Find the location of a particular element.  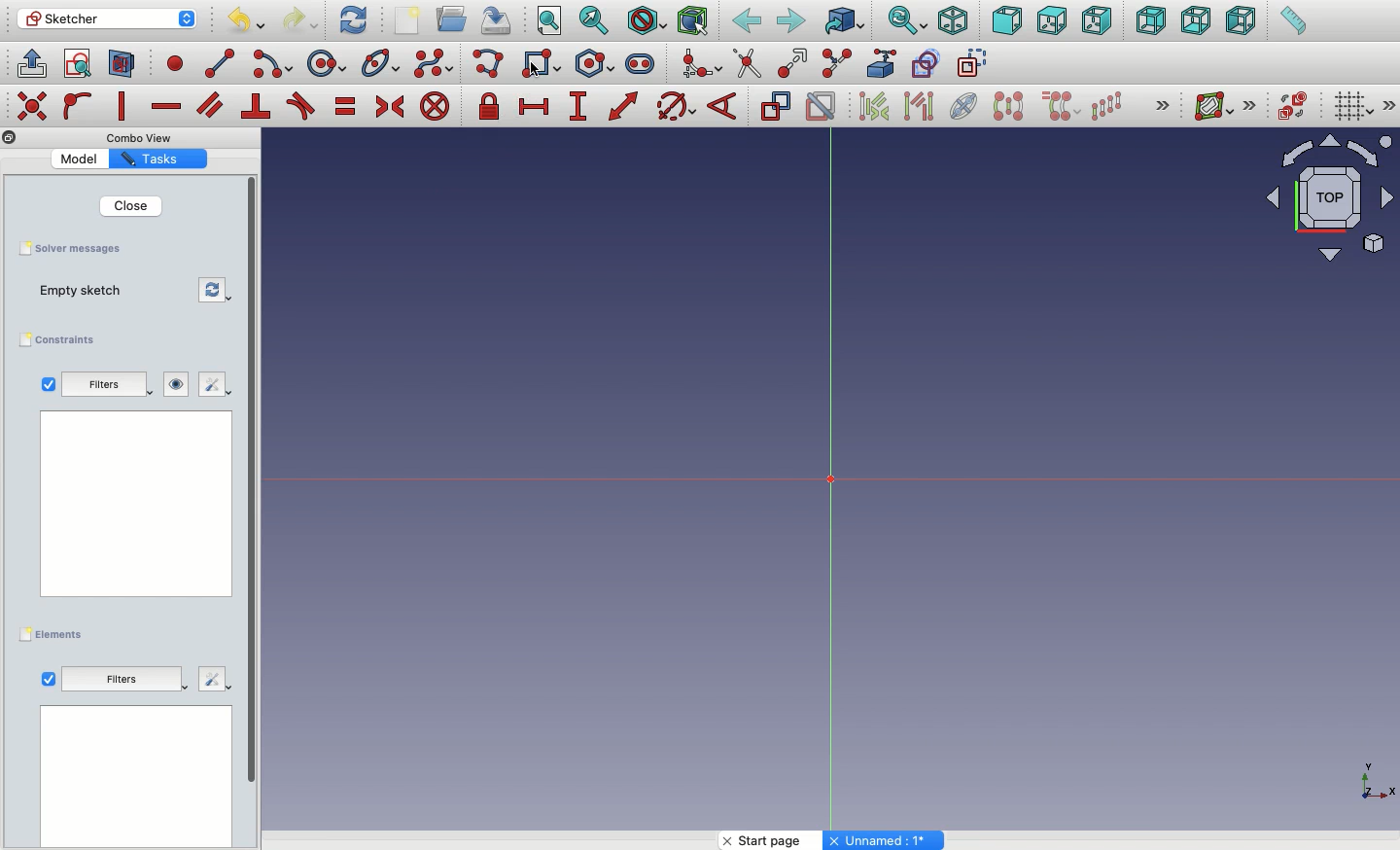

constrain point onto object is located at coordinates (78, 105).